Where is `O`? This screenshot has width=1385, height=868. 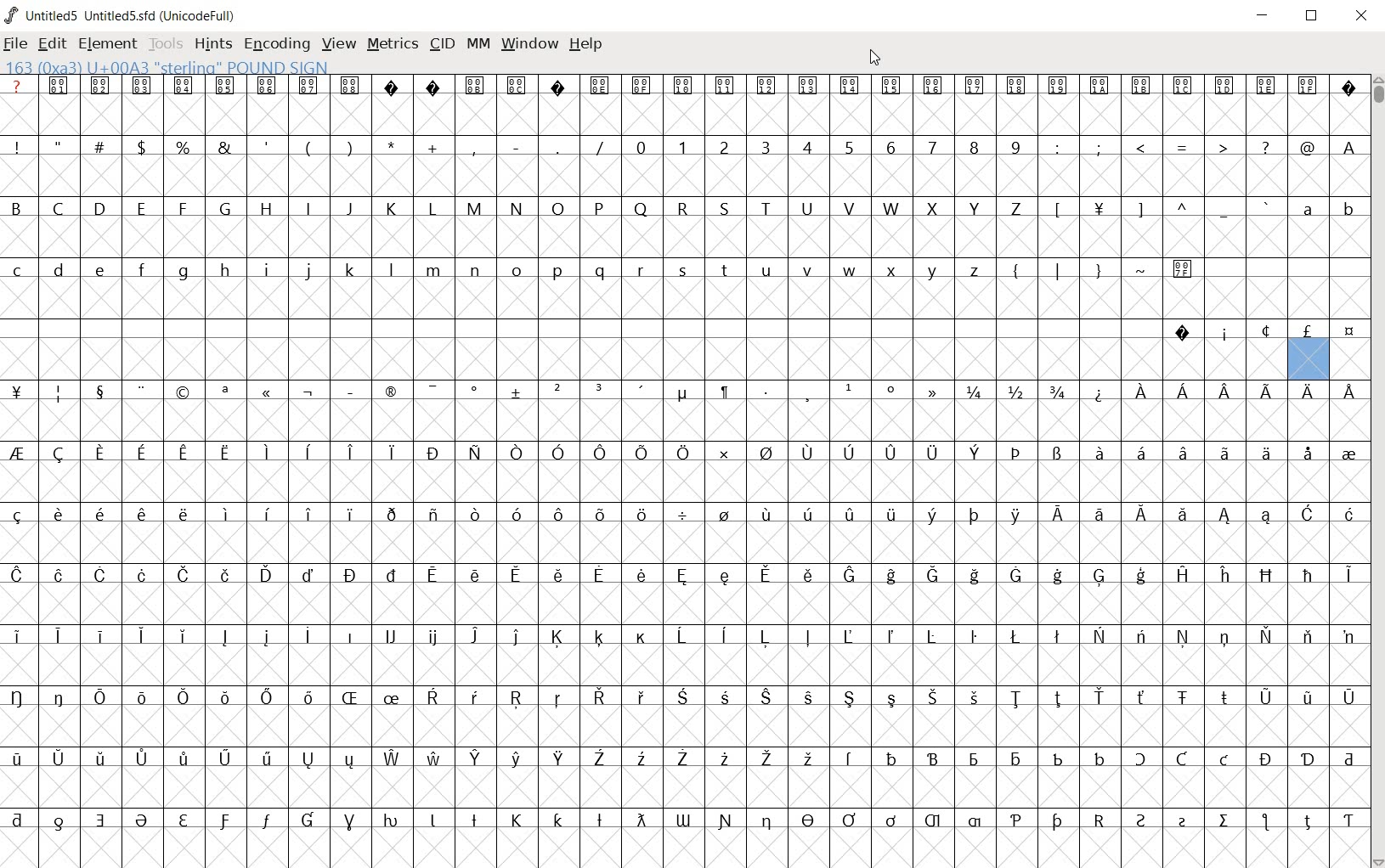 O is located at coordinates (559, 209).